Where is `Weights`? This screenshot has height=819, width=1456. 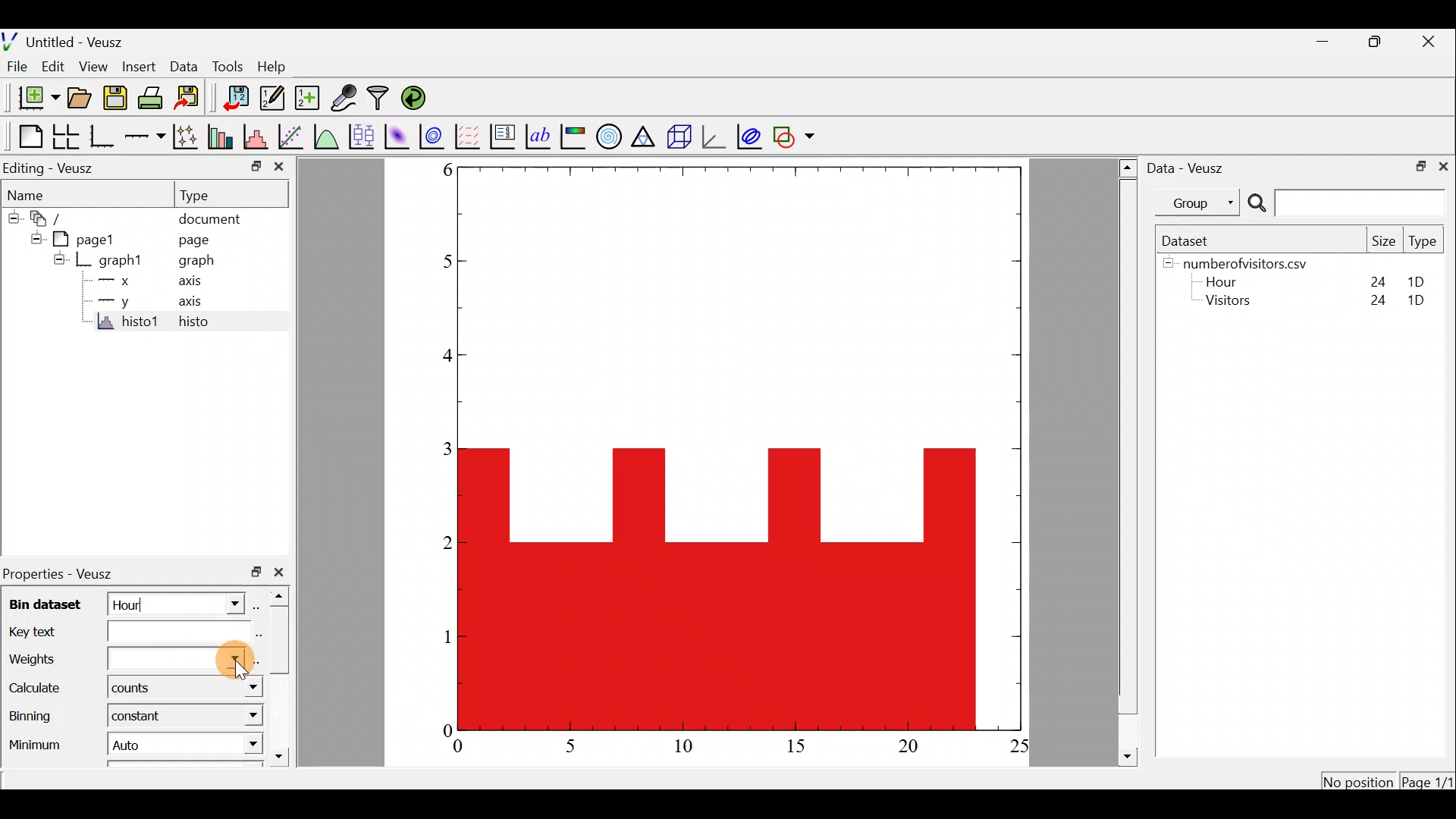
Weights is located at coordinates (124, 661).